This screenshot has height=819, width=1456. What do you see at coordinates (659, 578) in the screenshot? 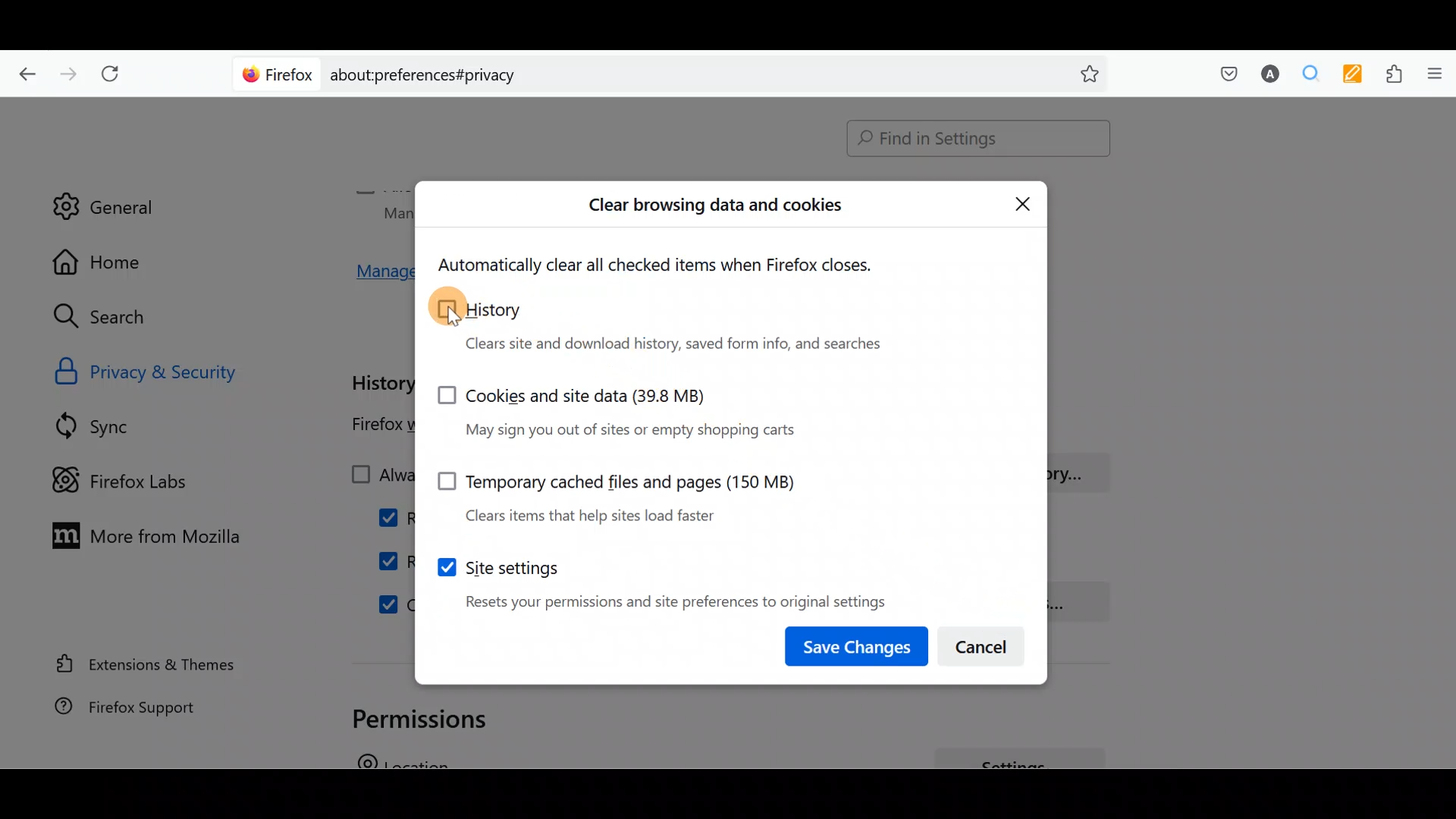
I see `Site settings` at bounding box center [659, 578].